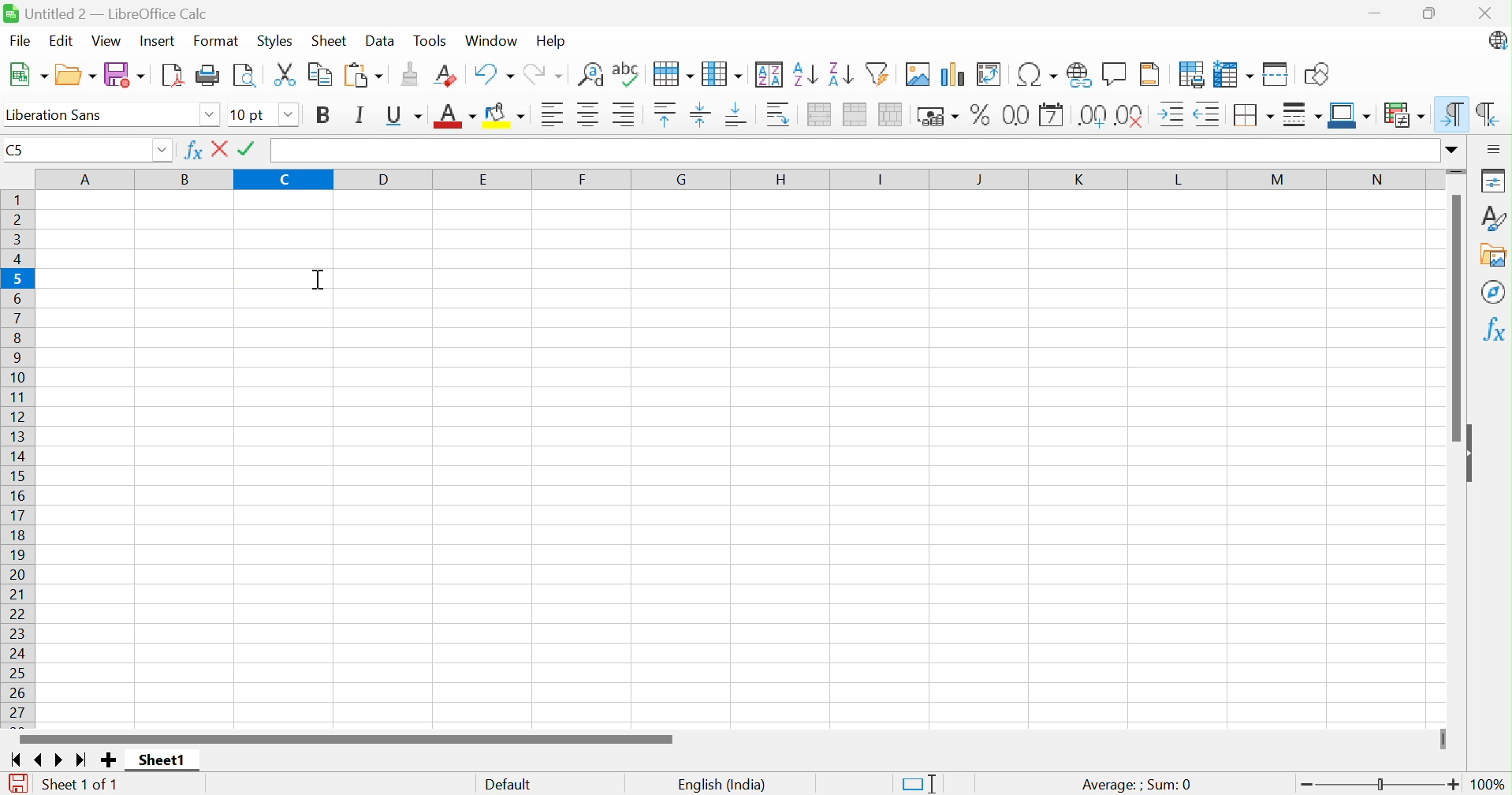 The height and width of the screenshot is (795, 1512). Describe the element at coordinates (449, 76) in the screenshot. I see `Clear direct formatting` at that location.